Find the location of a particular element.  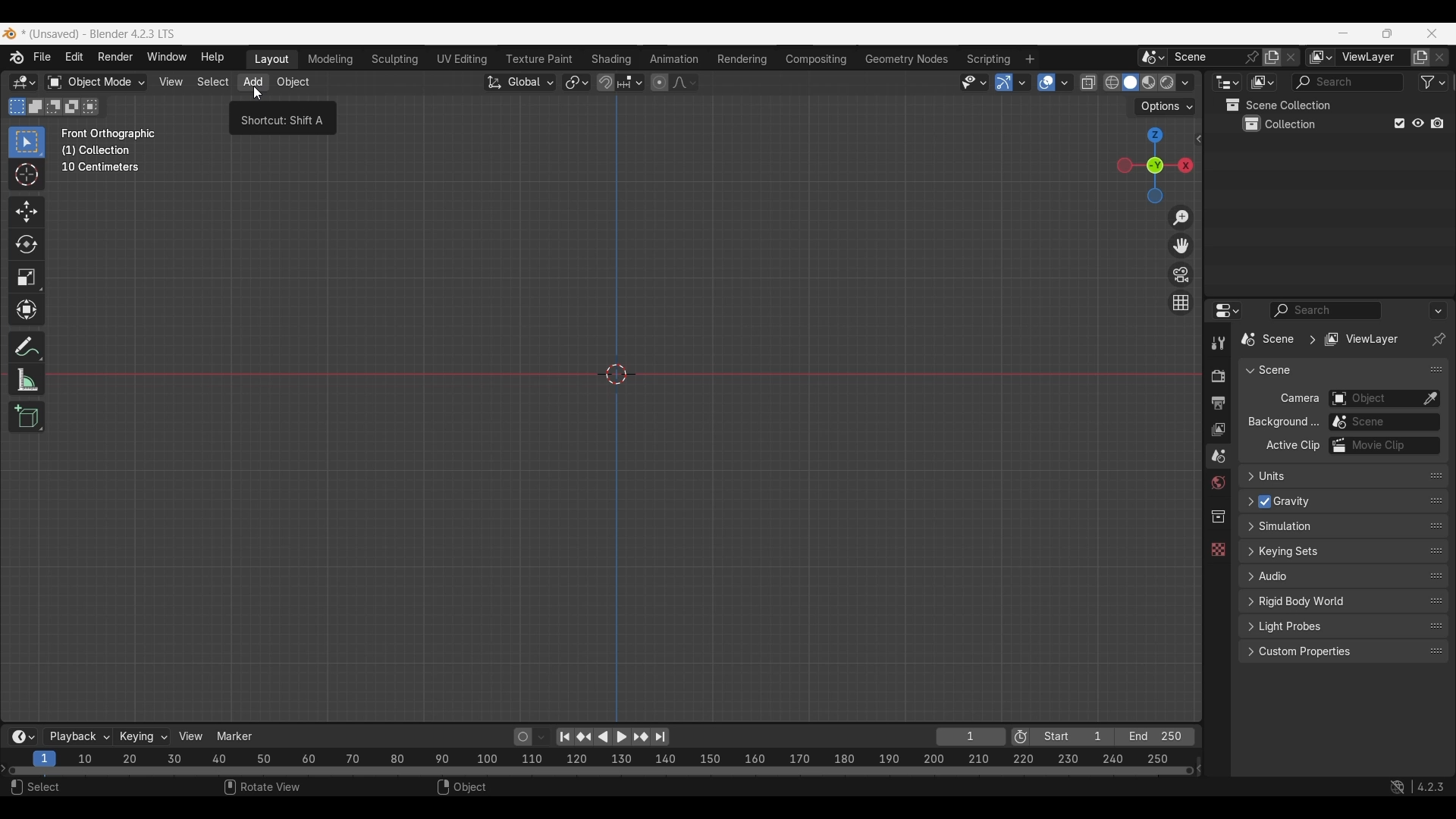

Shading is located at coordinates (1185, 83).